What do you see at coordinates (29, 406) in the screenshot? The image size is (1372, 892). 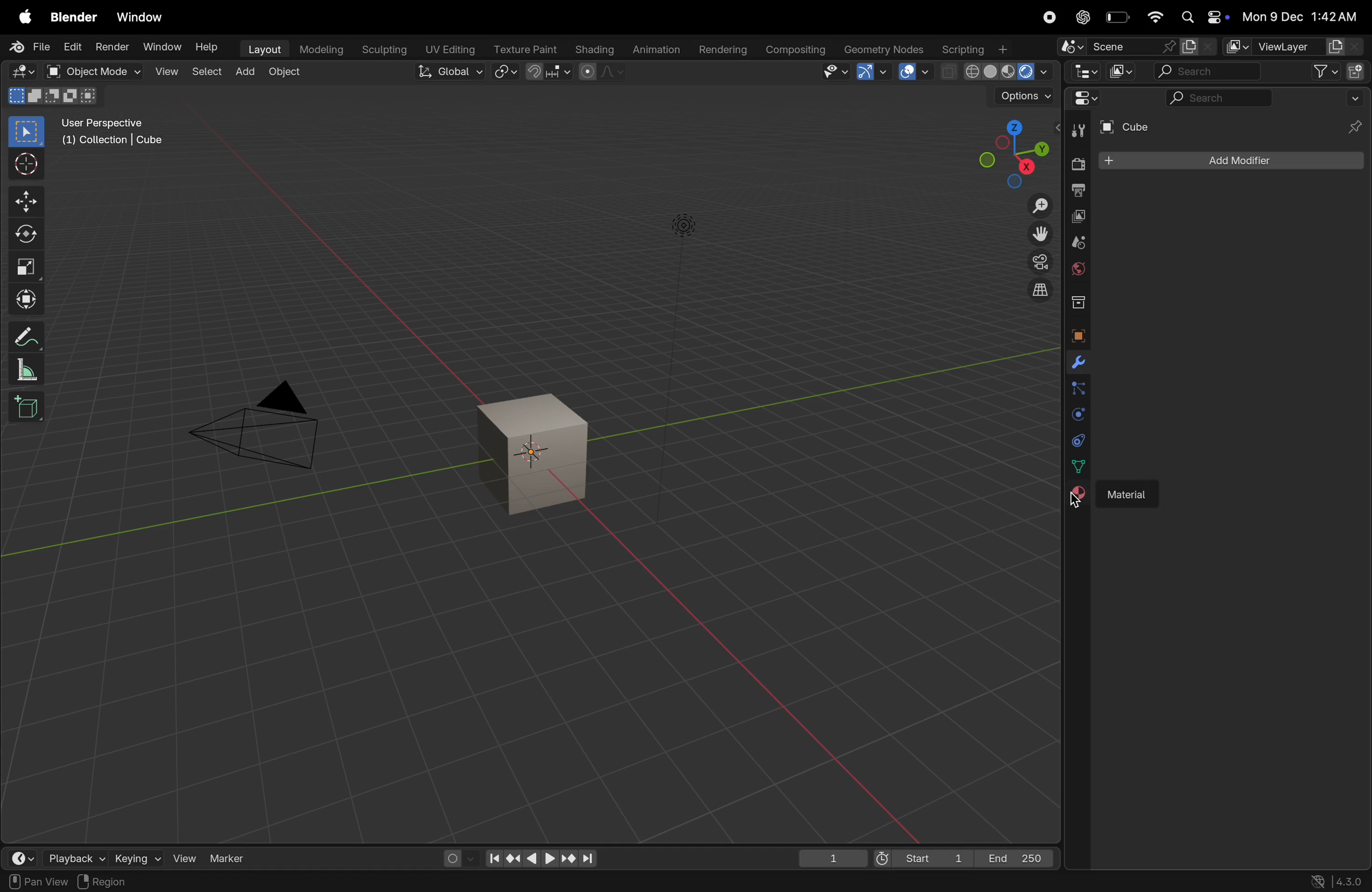 I see `add cube` at bounding box center [29, 406].